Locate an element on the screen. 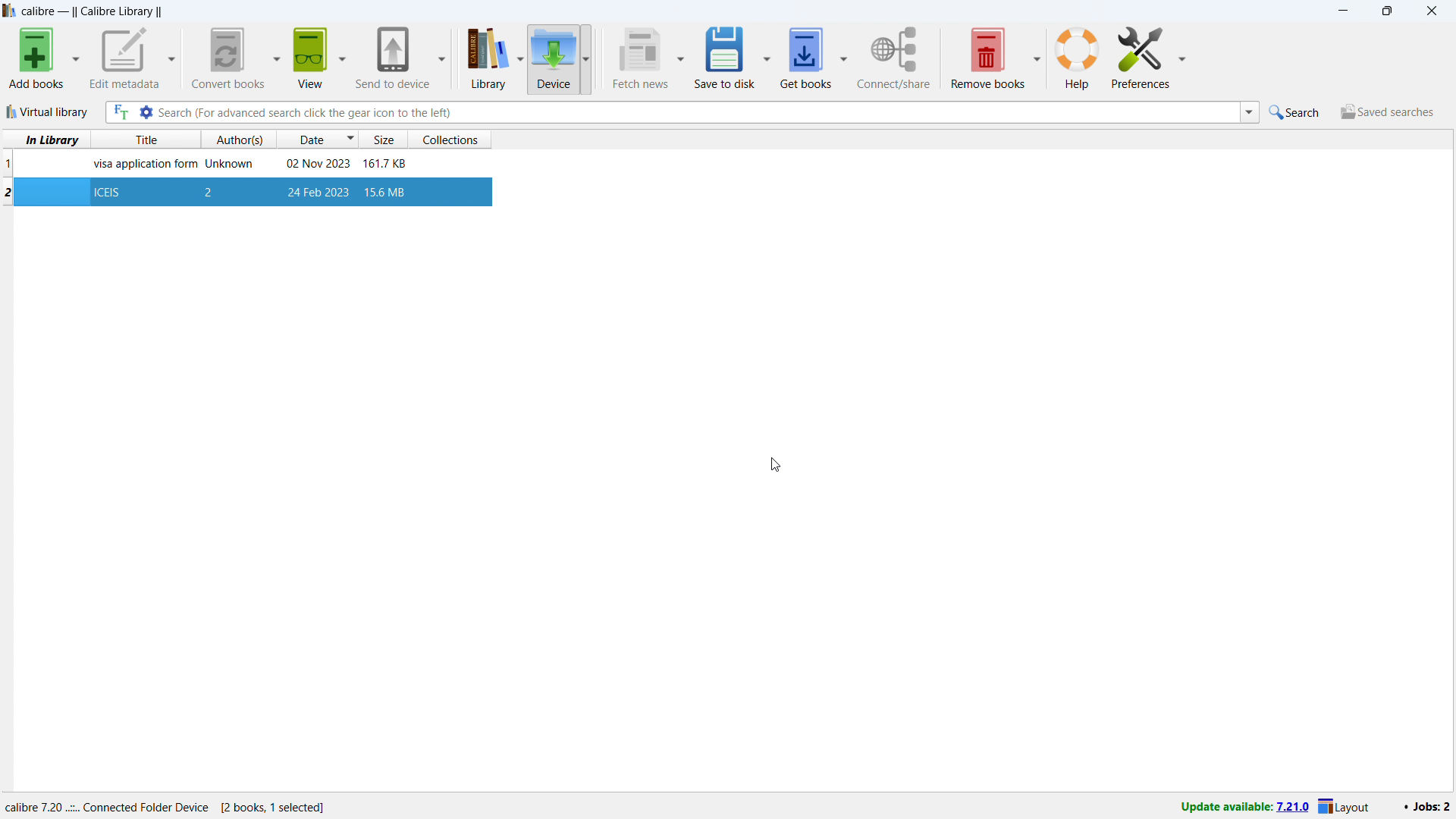  view options is located at coordinates (341, 55).